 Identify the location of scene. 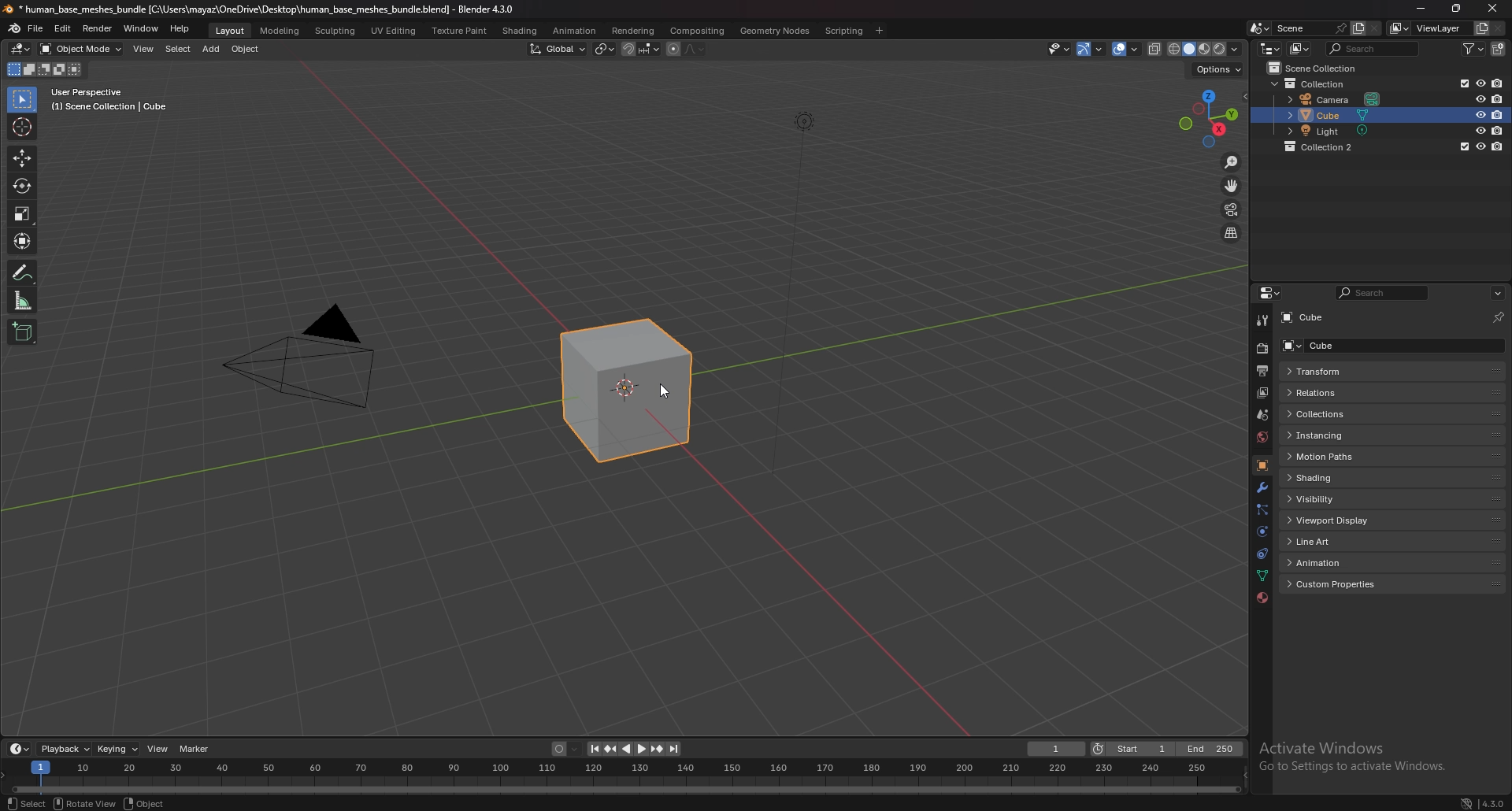
(1294, 28).